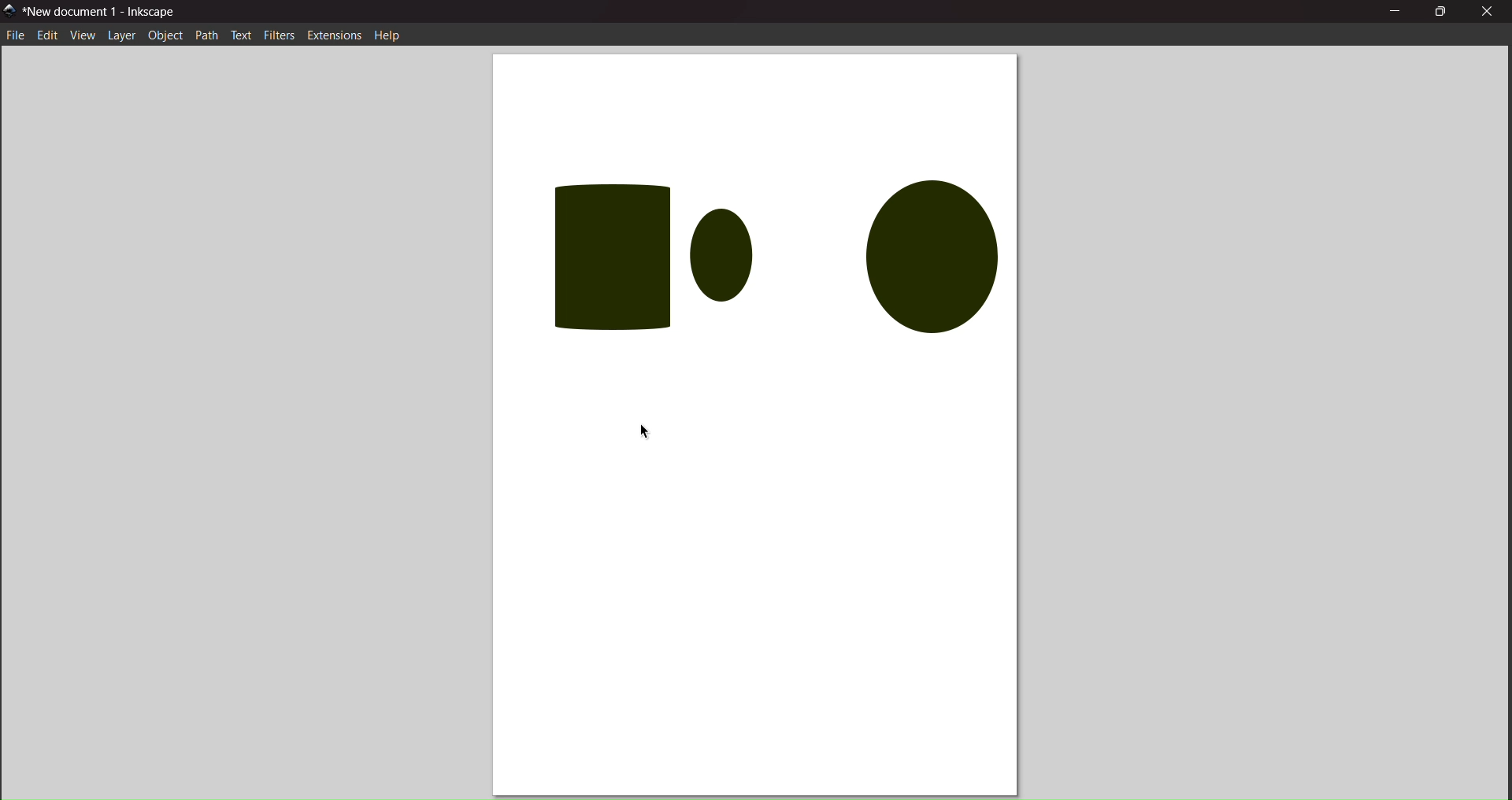 The image size is (1512, 800). I want to click on file, so click(17, 36).